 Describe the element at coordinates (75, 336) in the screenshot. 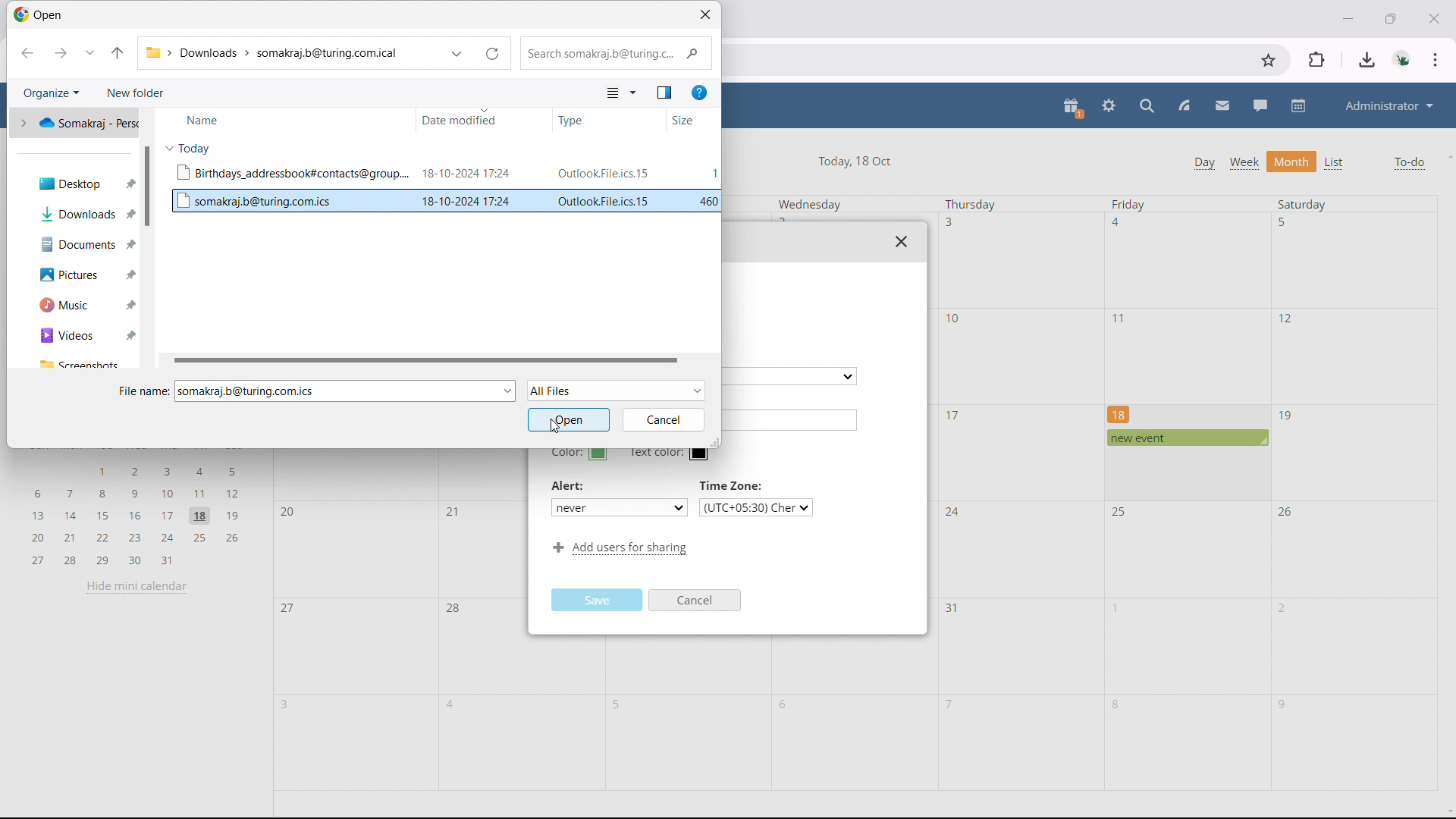

I see `Videos` at that location.